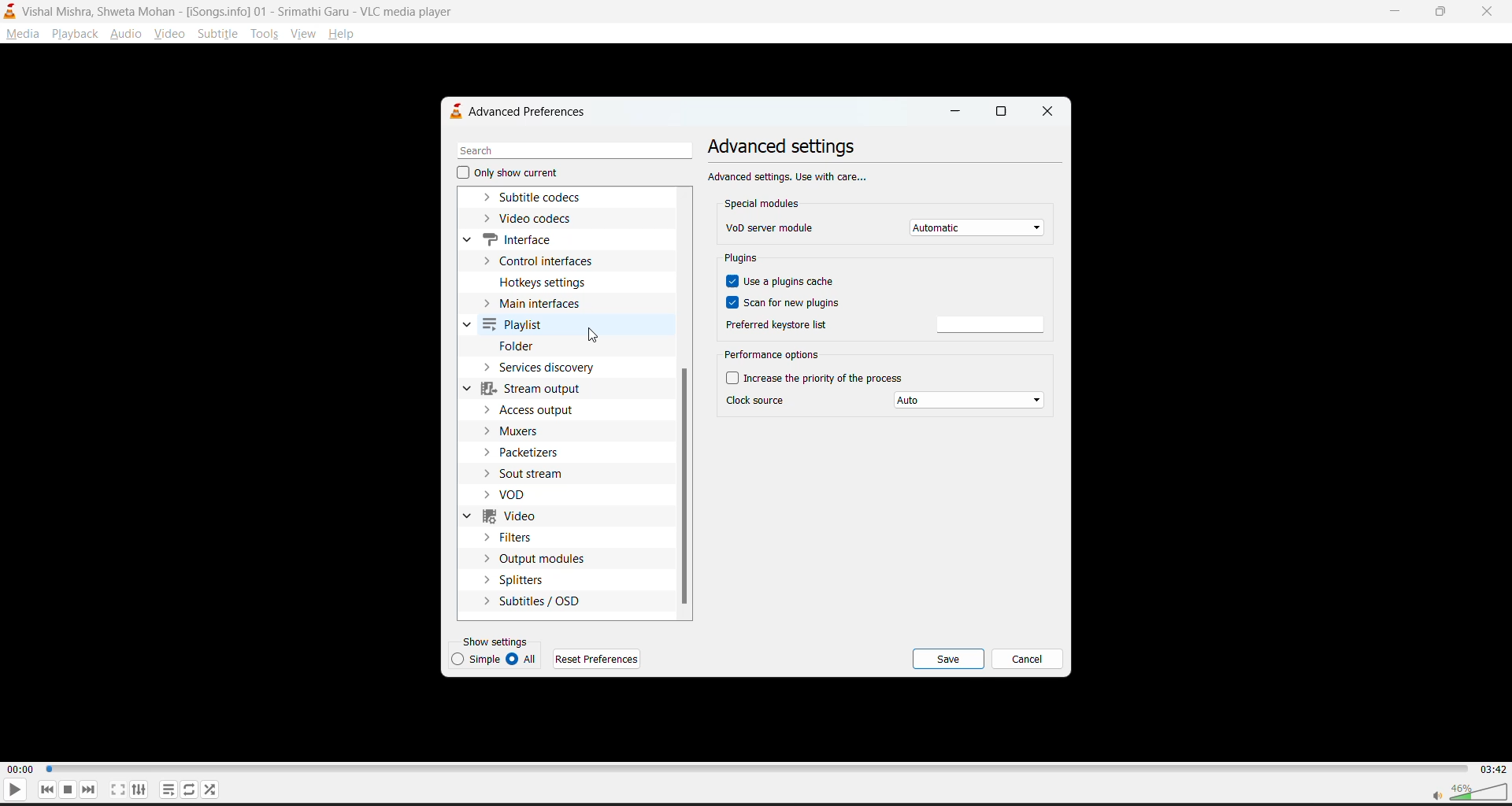 This screenshot has height=806, width=1512. What do you see at coordinates (306, 37) in the screenshot?
I see `view` at bounding box center [306, 37].